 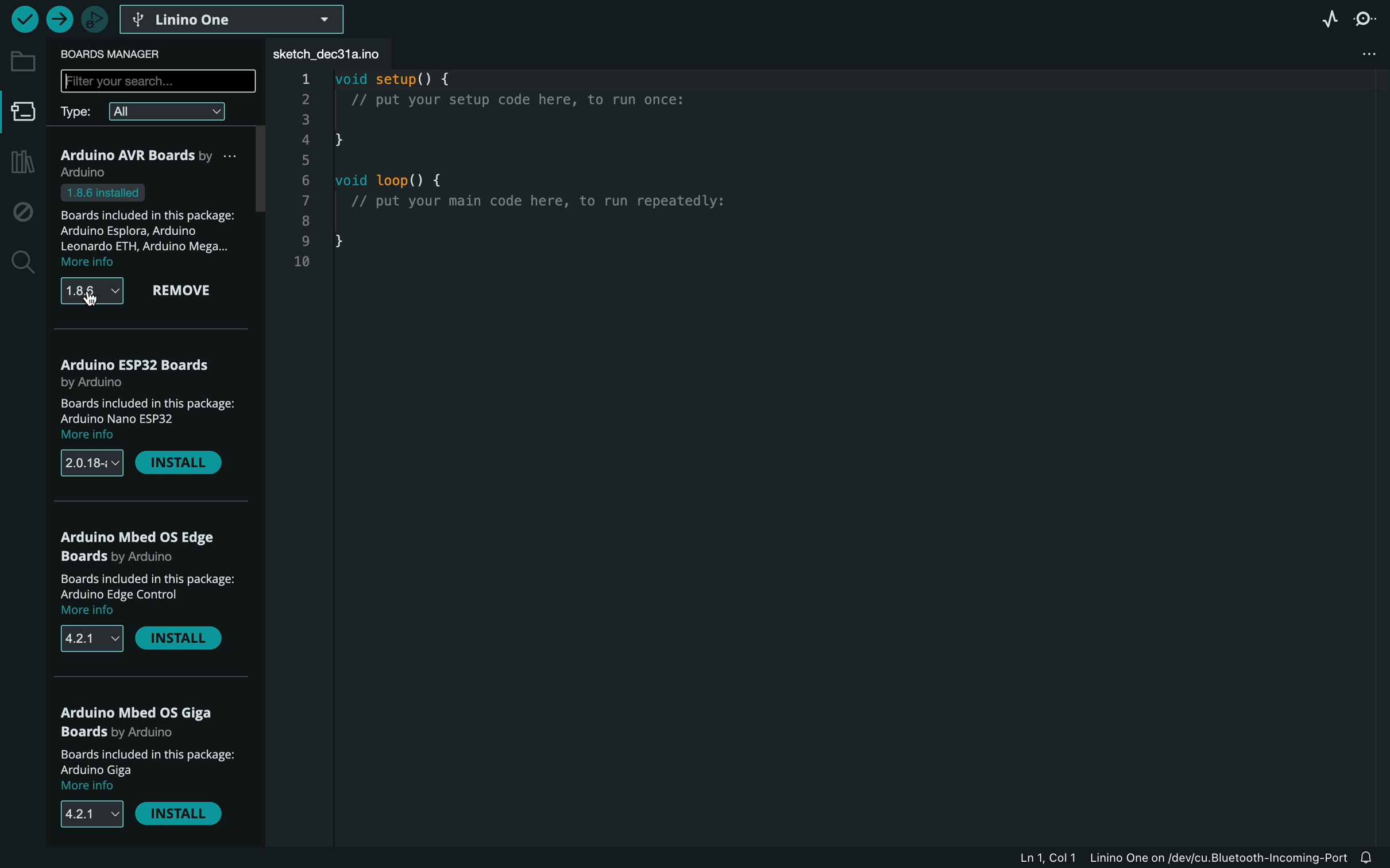 I want to click on versions, so click(x=84, y=814).